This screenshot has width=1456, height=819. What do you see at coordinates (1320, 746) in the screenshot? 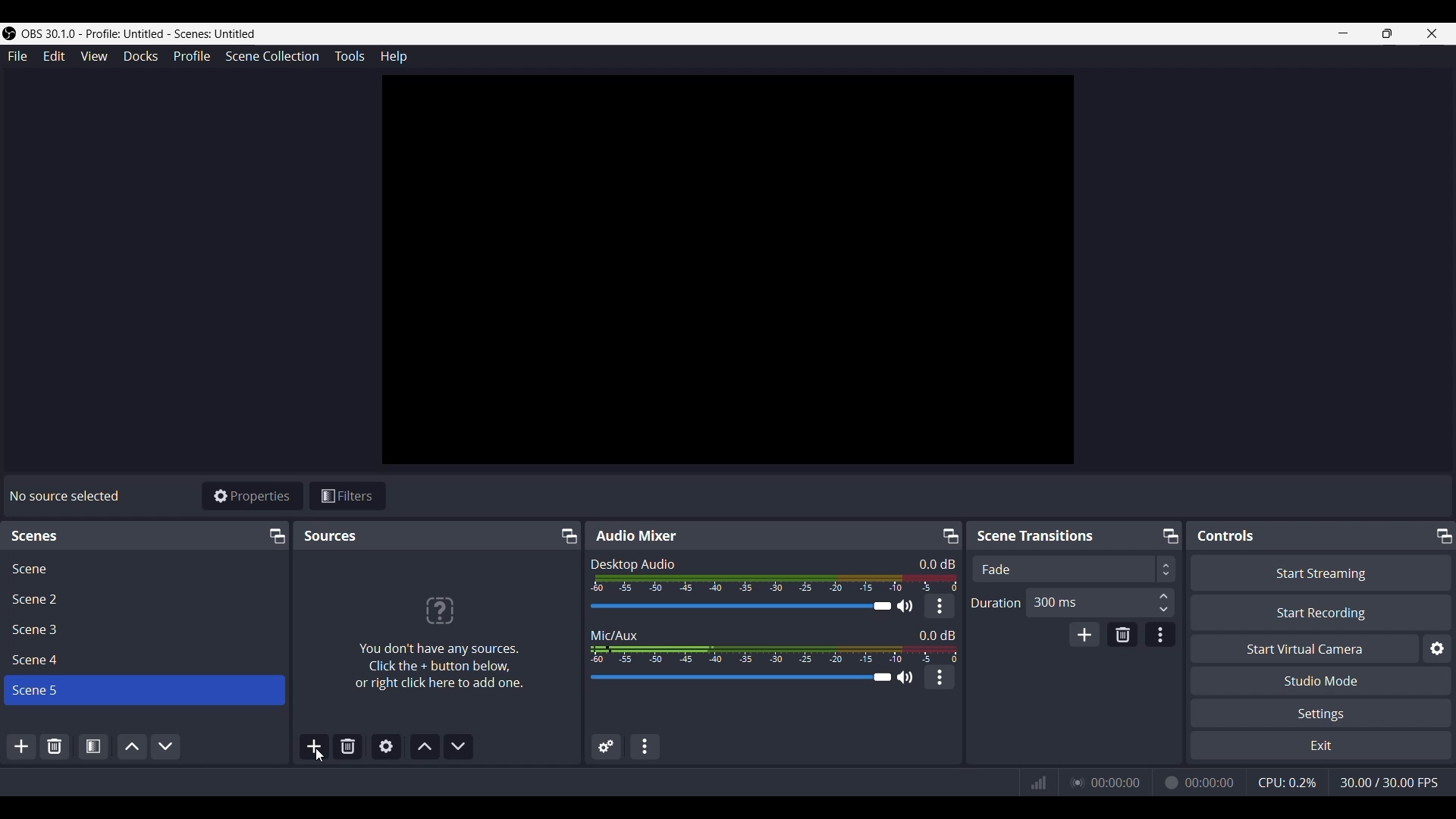
I see `Exit` at bounding box center [1320, 746].